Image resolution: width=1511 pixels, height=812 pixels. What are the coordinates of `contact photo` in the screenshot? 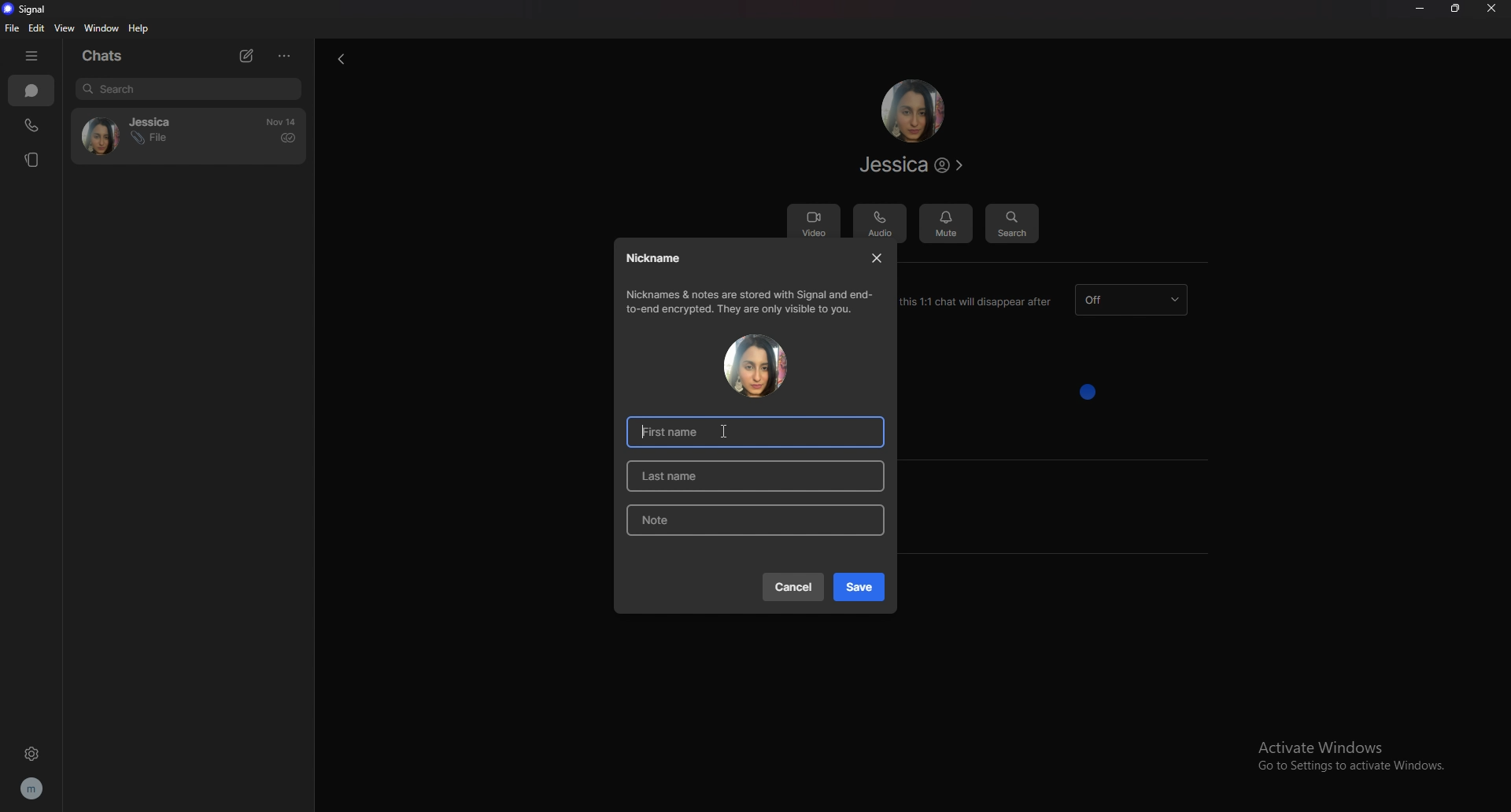 It's located at (912, 110).